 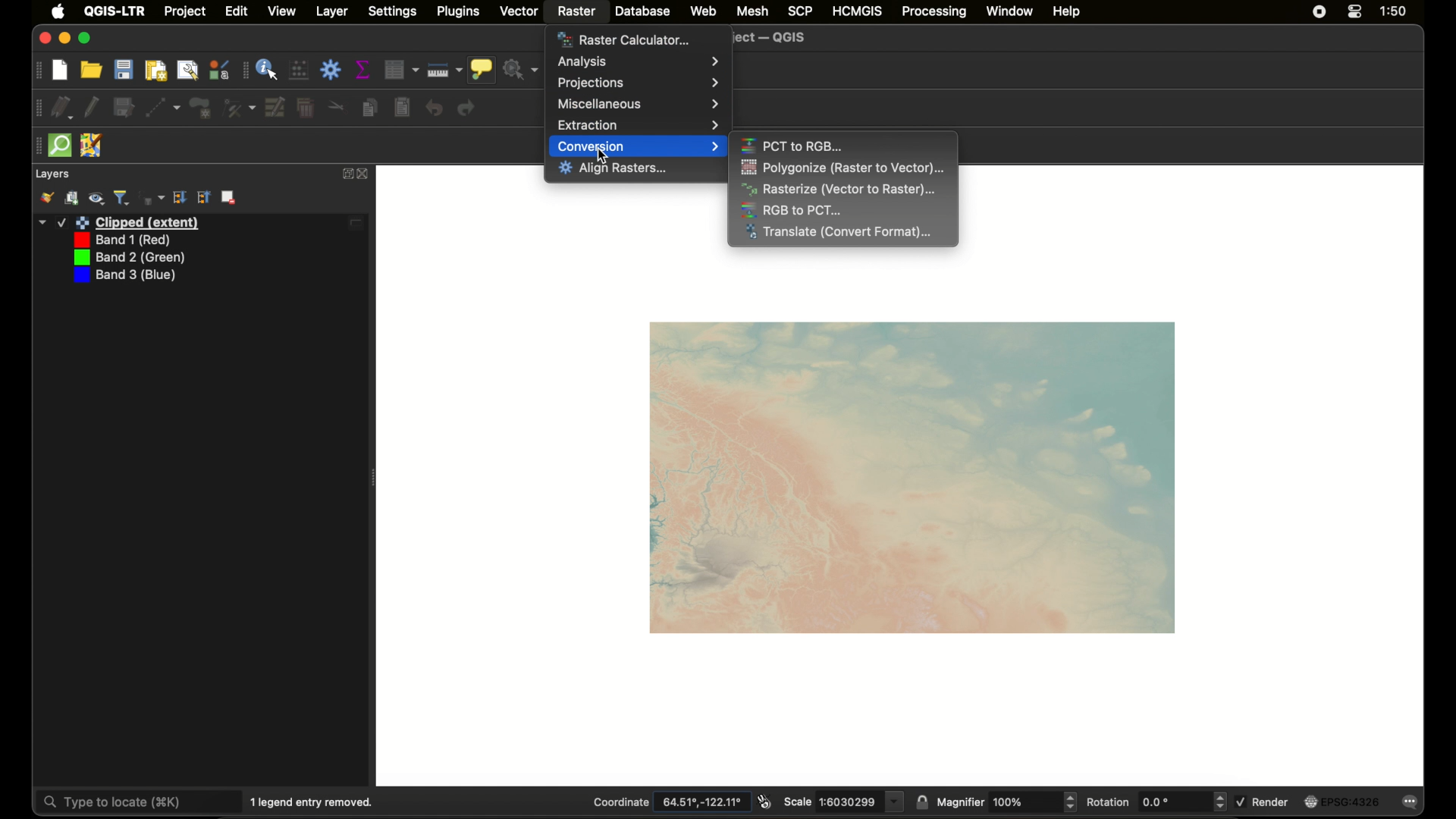 I want to click on layers, so click(x=52, y=174).